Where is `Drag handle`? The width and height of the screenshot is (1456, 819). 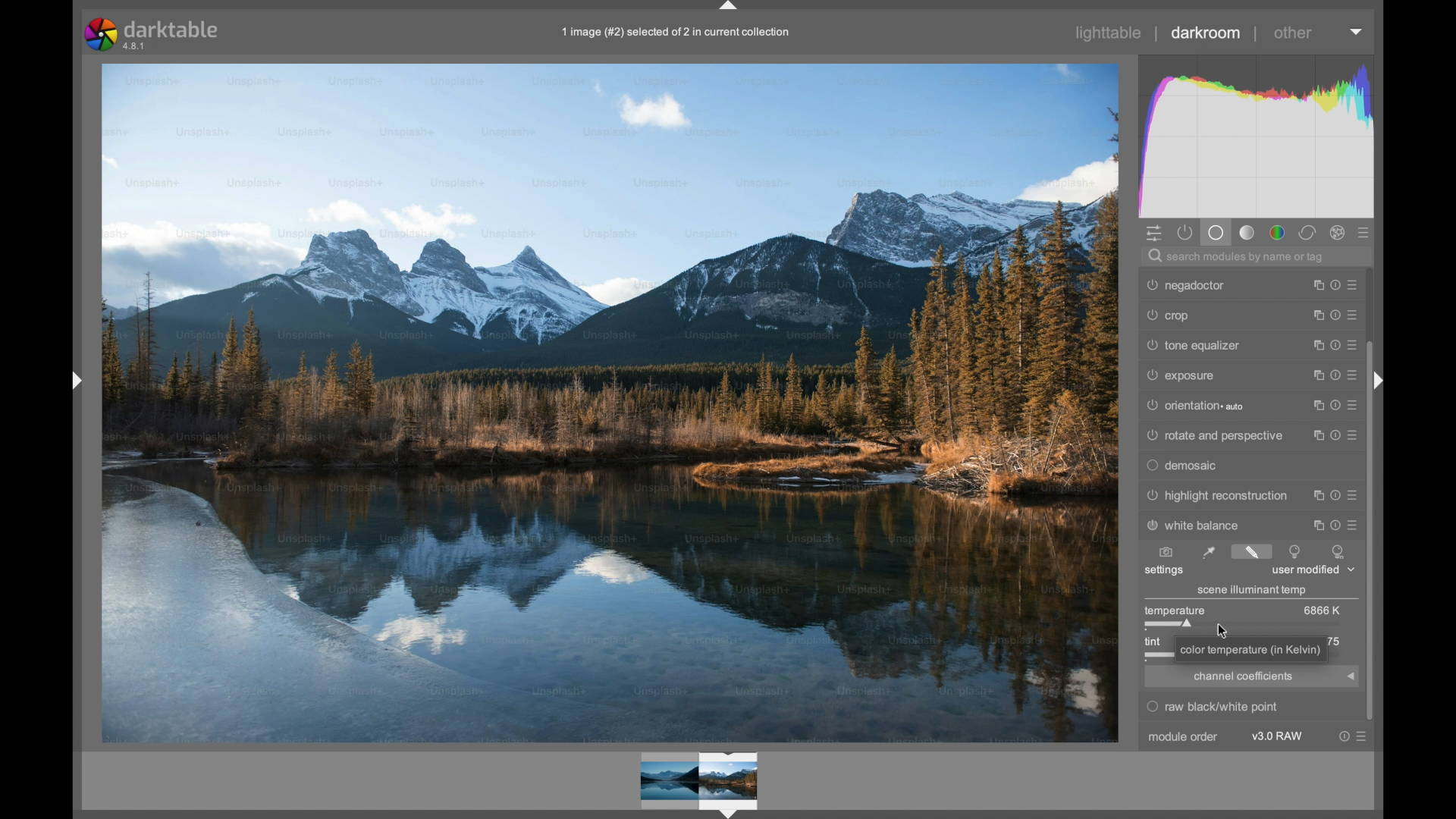
Drag handle is located at coordinates (1382, 381).